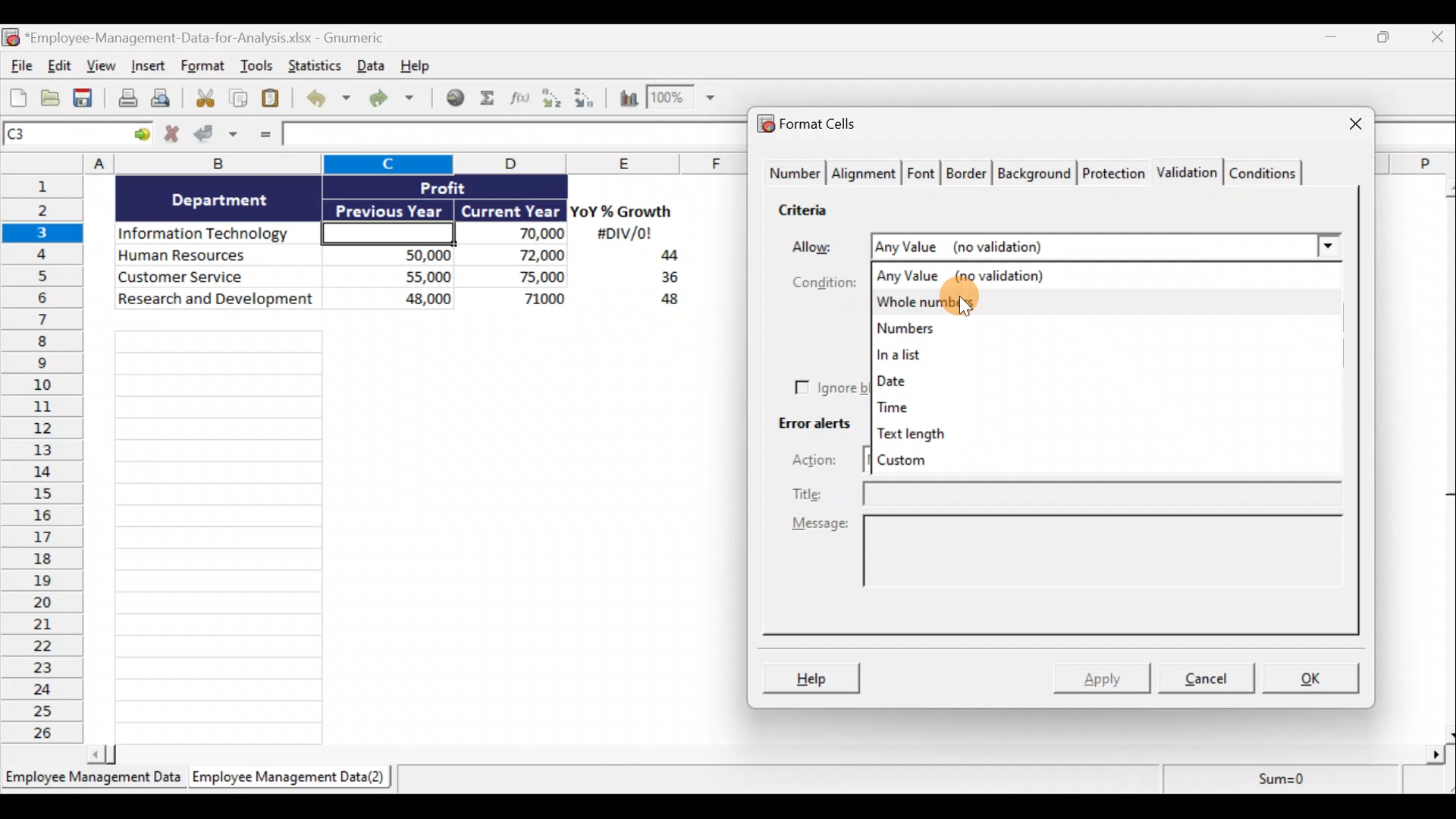 The image size is (1456, 819). Describe the element at coordinates (218, 275) in the screenshot. I see `Customer Service` at that location.